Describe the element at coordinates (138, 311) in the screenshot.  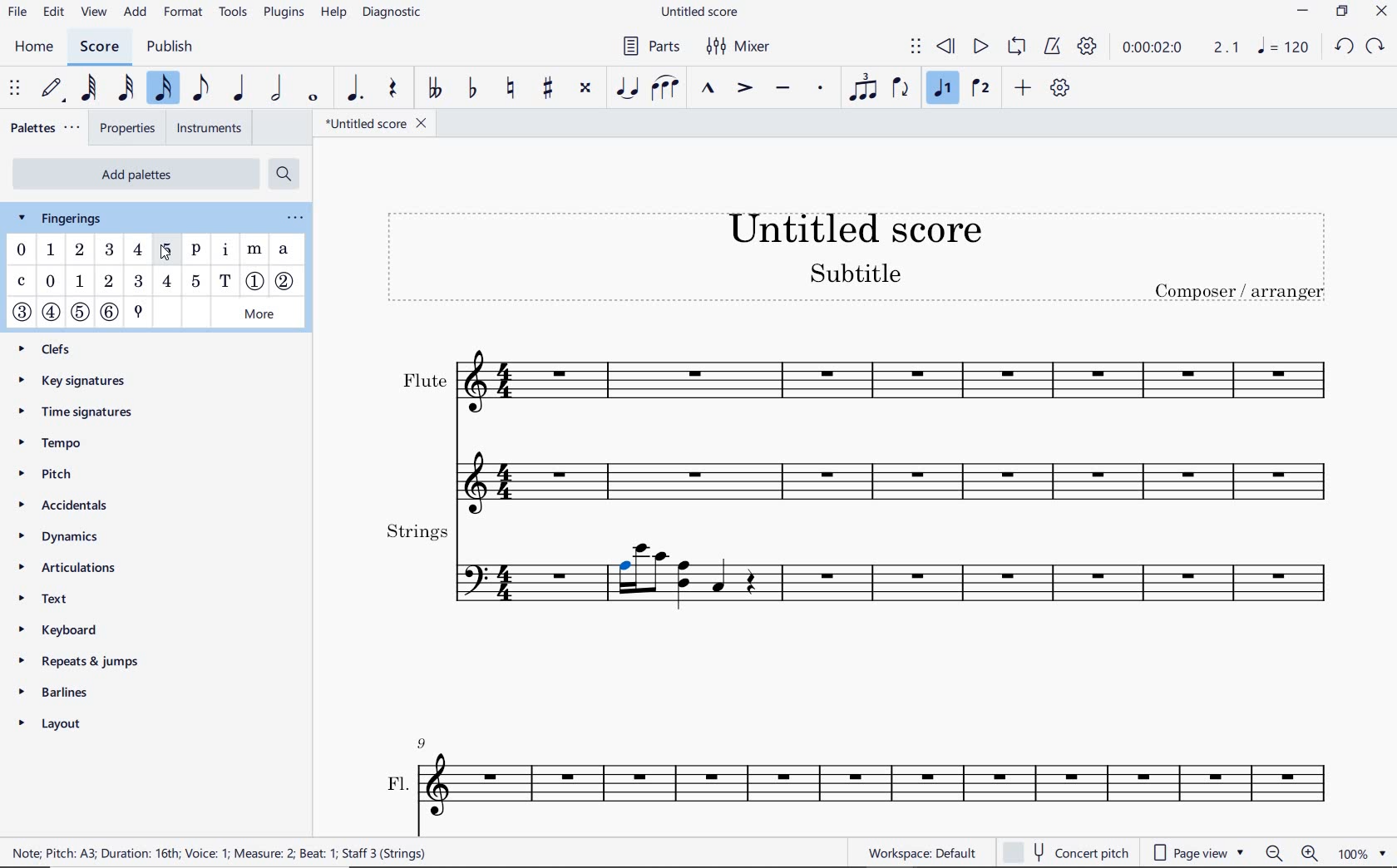
I see `THUMB POSITION` at that location.